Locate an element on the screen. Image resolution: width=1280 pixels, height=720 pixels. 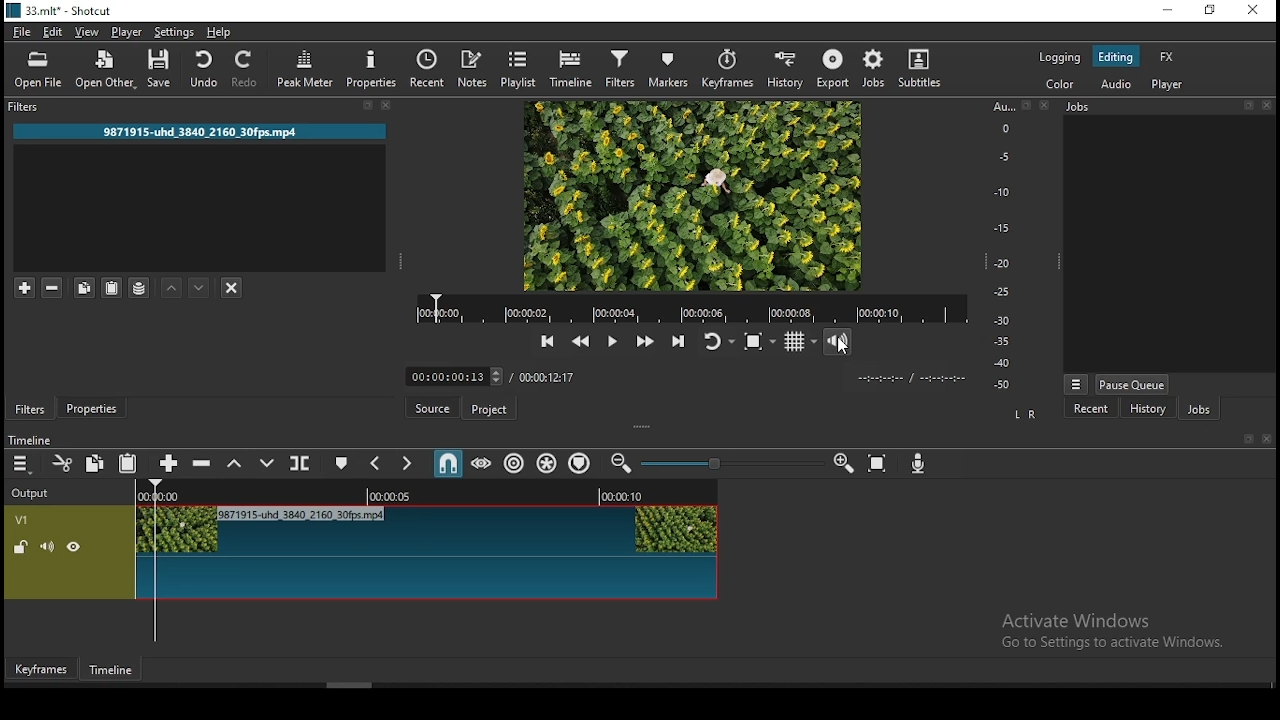
open other is located at coordinates (107, 70).